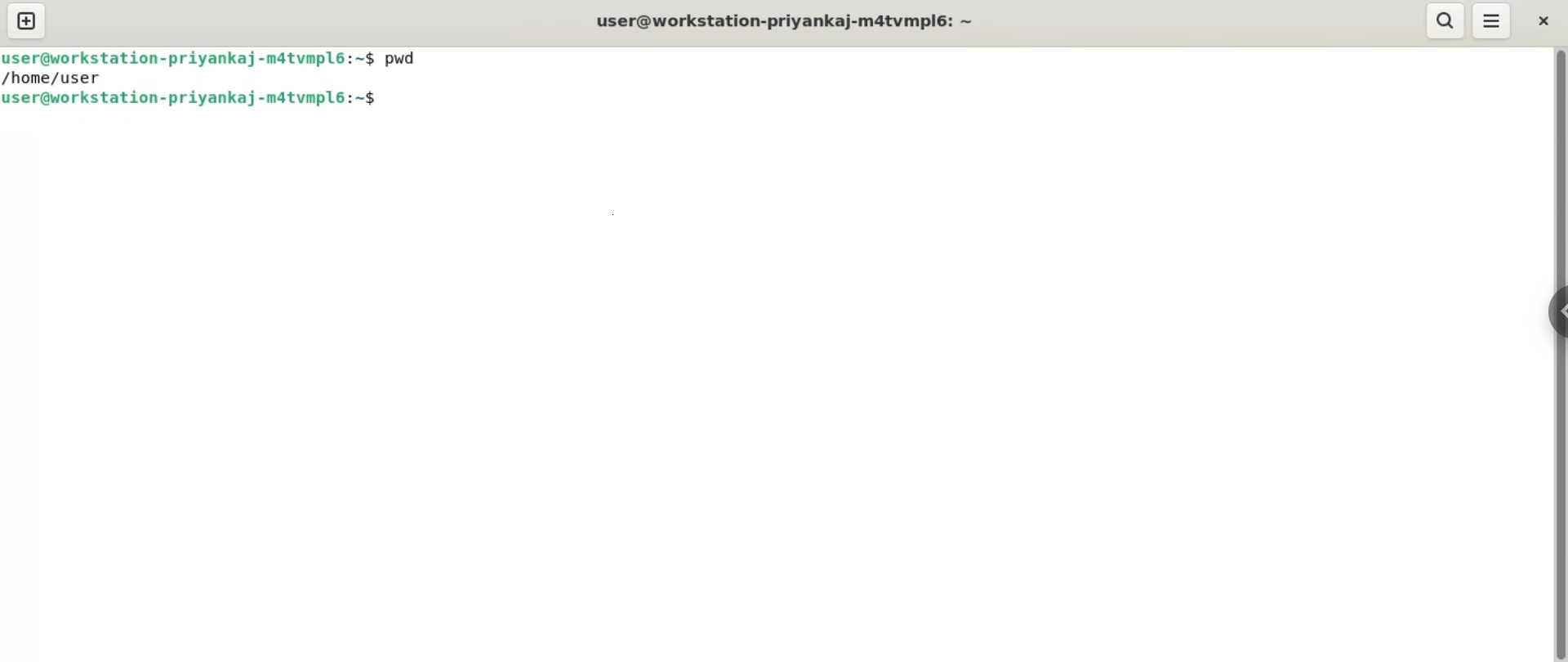 This screenshot has width=1568, height=662. What do you see at coordinates (26, 20) in the screenshot?
I see `new tab` at bounding box center [26, 20].